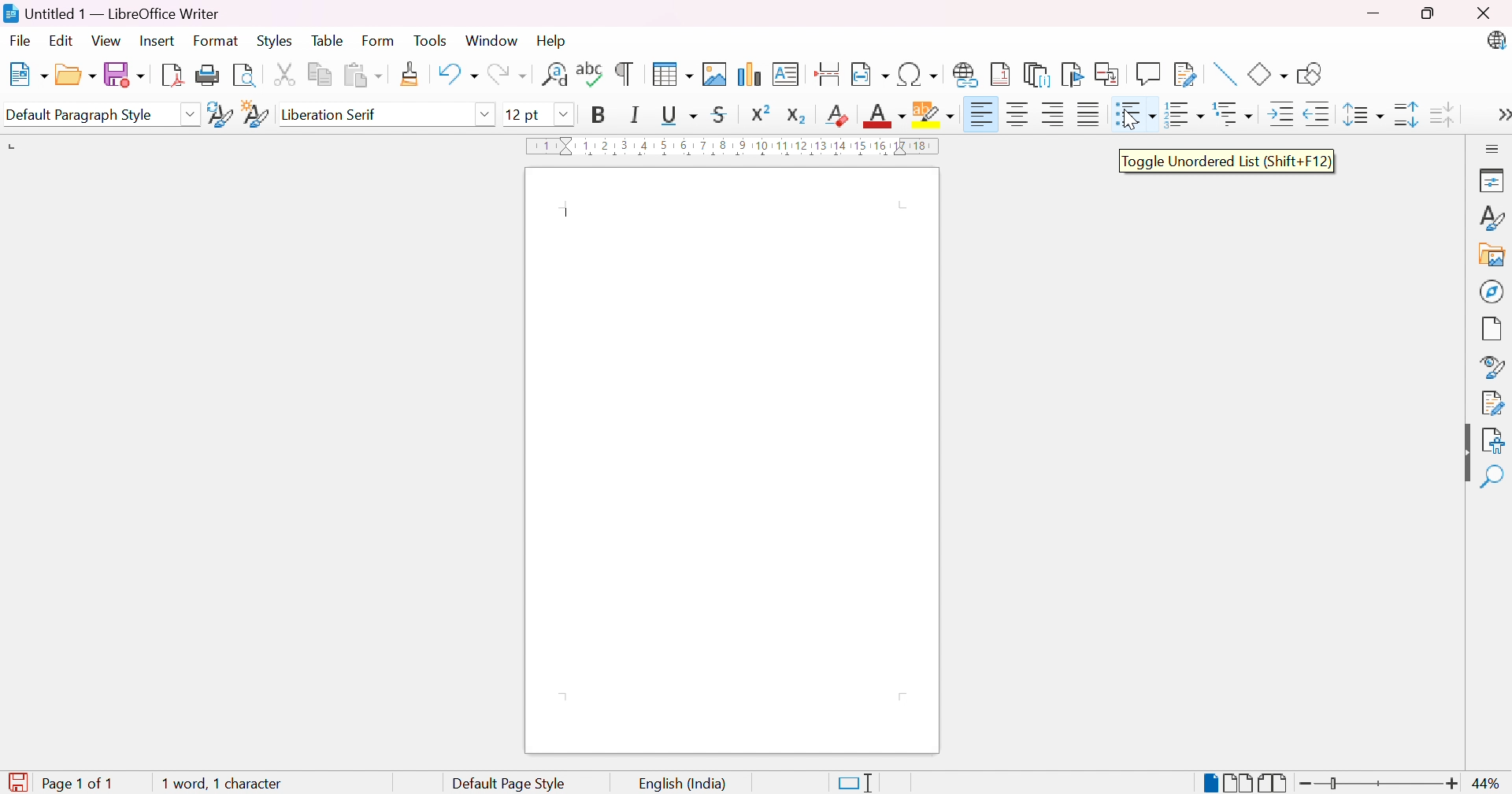  Describe the element at coordinates (1187, 117) in the screenshot. I see `Toggle ordered list` at that location.